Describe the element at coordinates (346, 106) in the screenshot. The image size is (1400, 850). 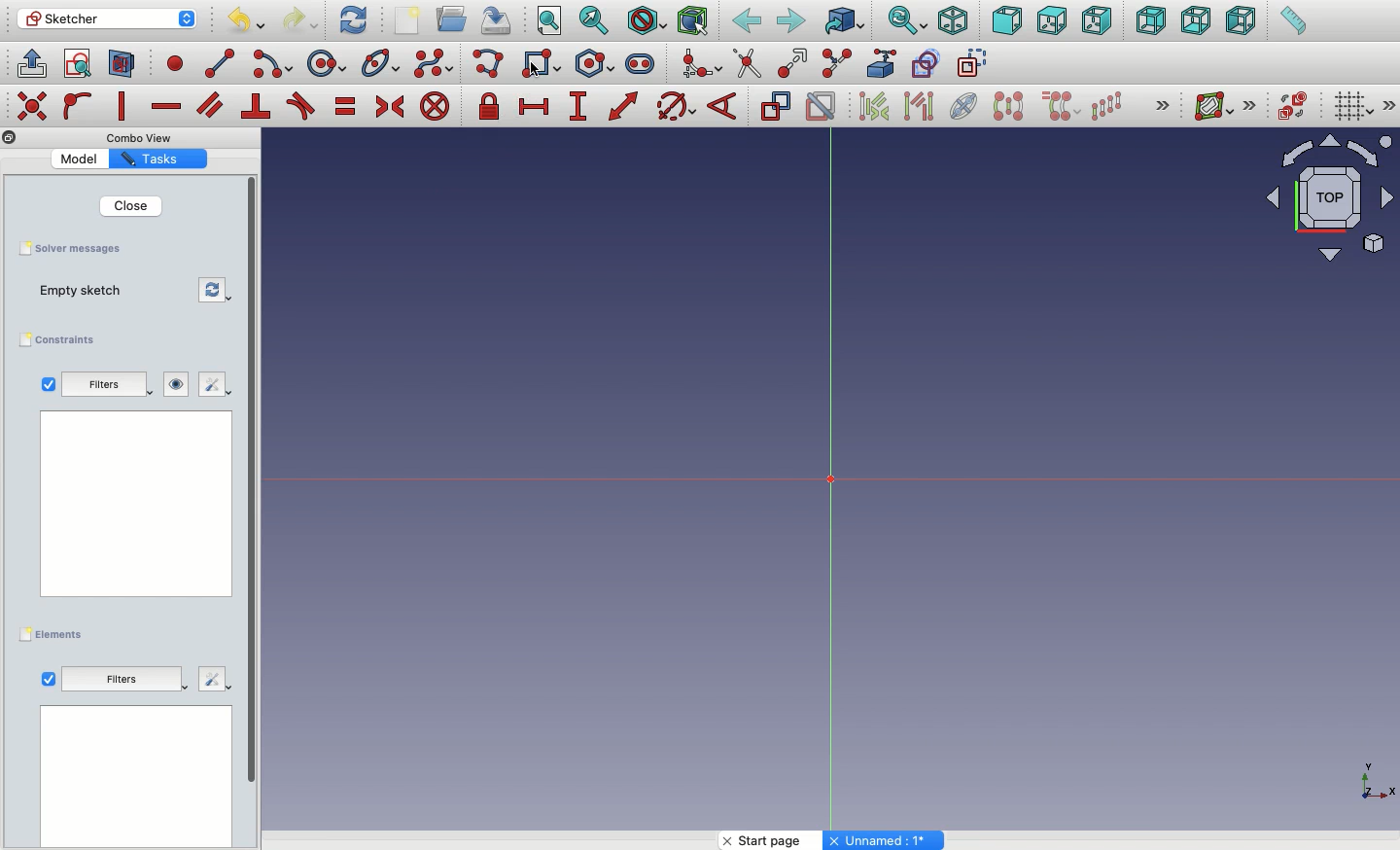
I see `constrain equal` at that location.